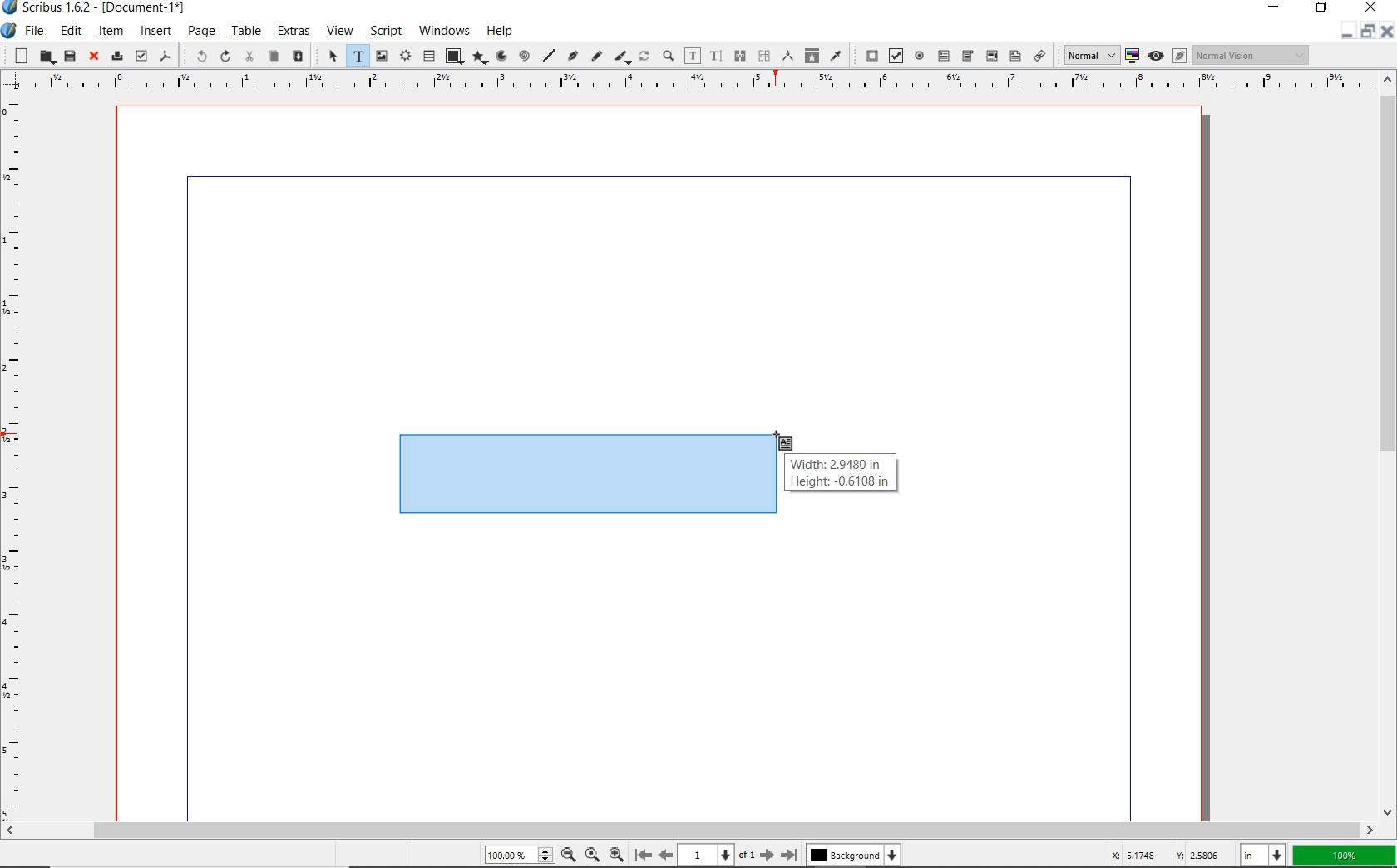  Describe the element at coordinates (357, 57) in the screenshot. I see `text frame` at that location.